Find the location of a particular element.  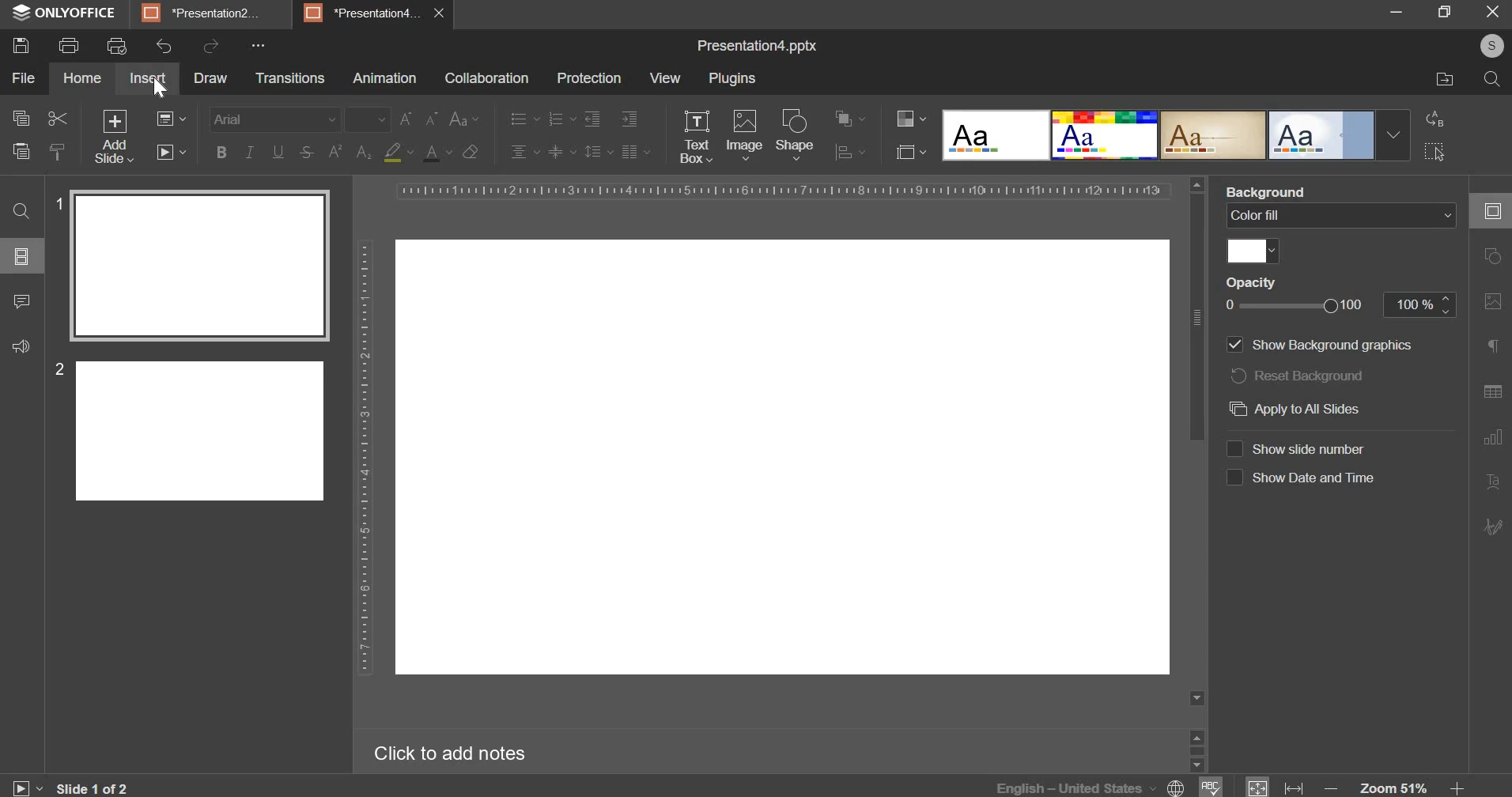

animation is located at coordinates (386, 78).